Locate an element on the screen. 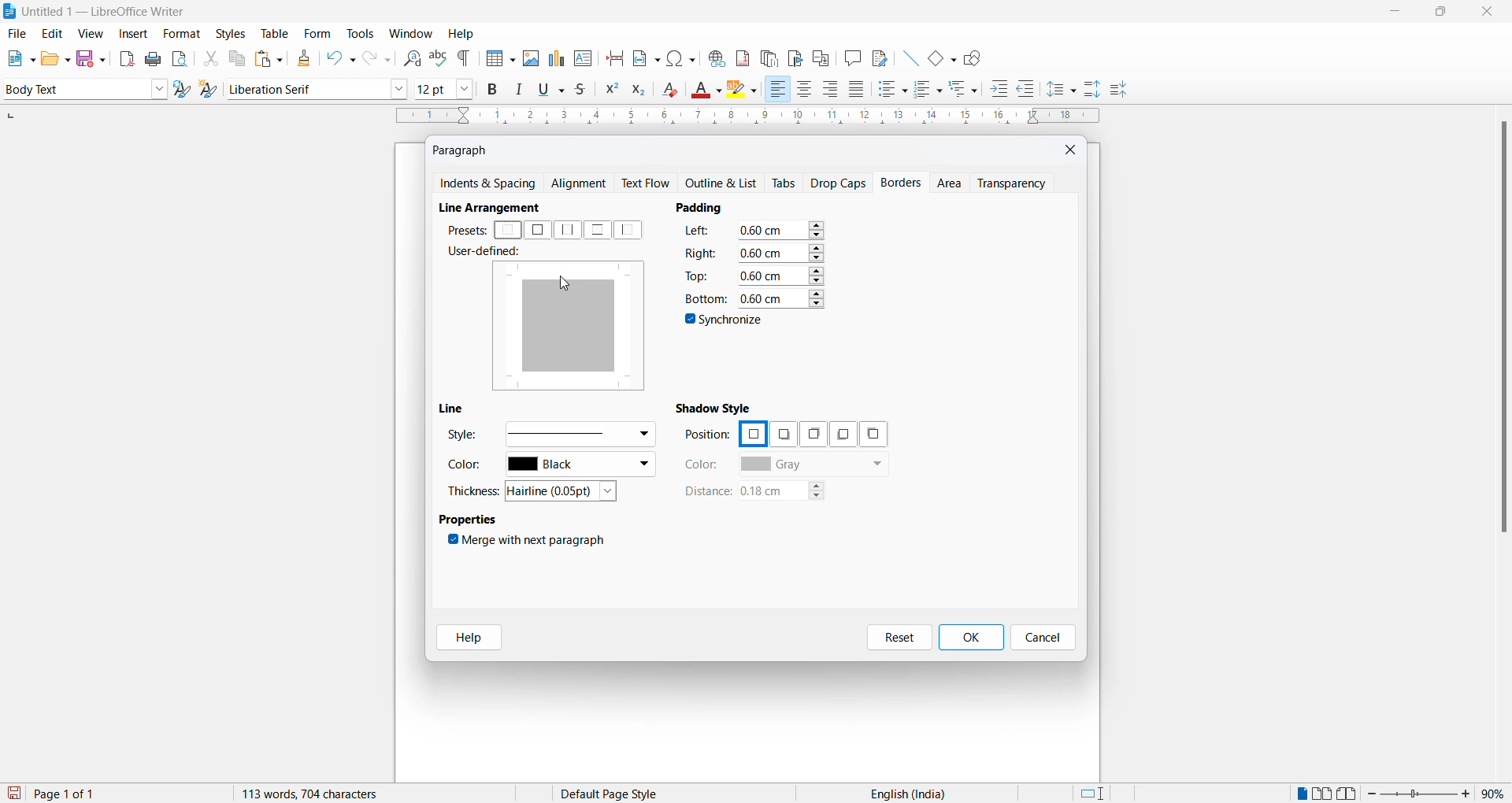  subscript is located at coordinates (643, 91).